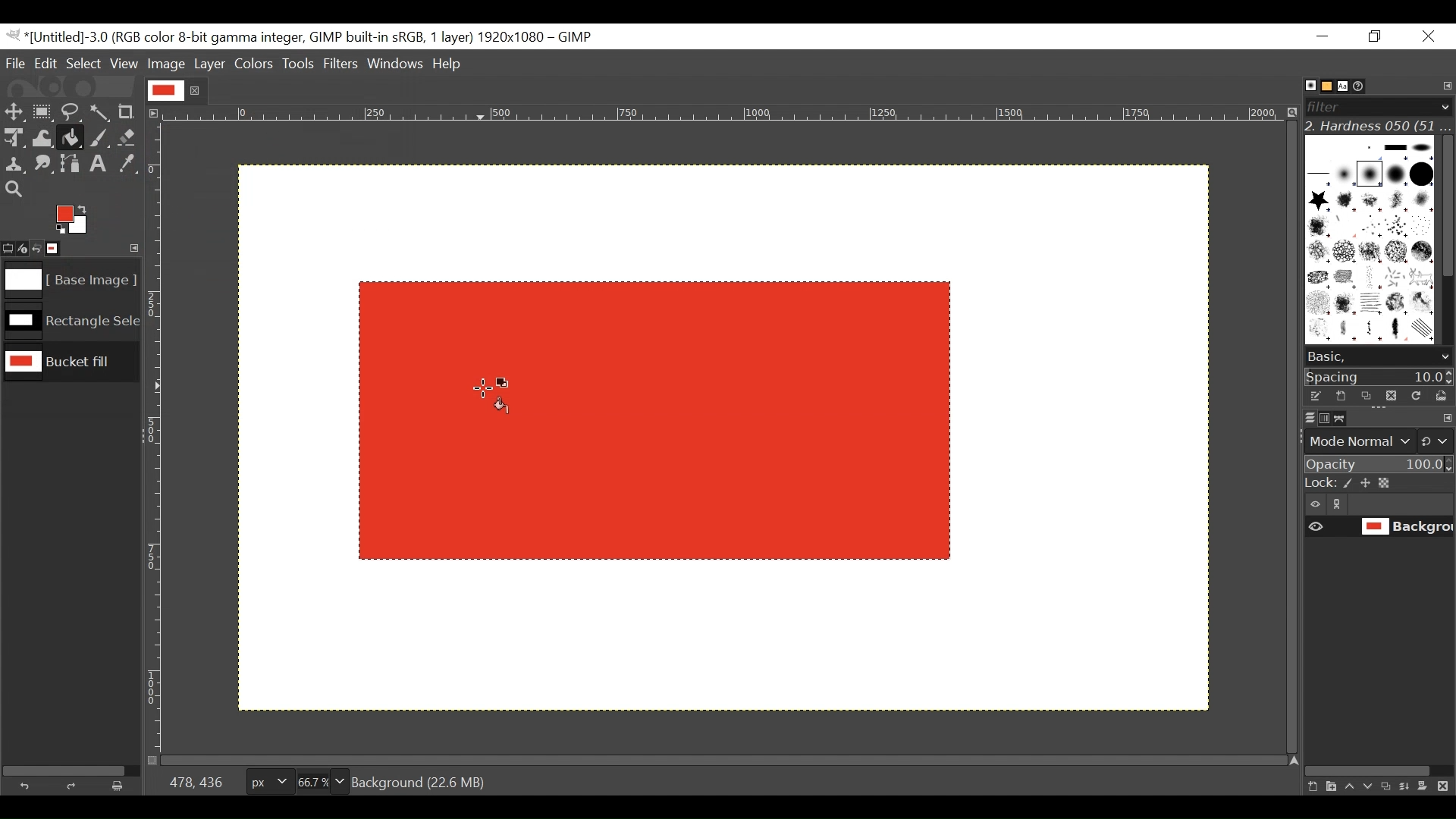  What do you see at coordinates (28, 784) in the screenshot?
I see `Undo` at bounding box center [28, 784].